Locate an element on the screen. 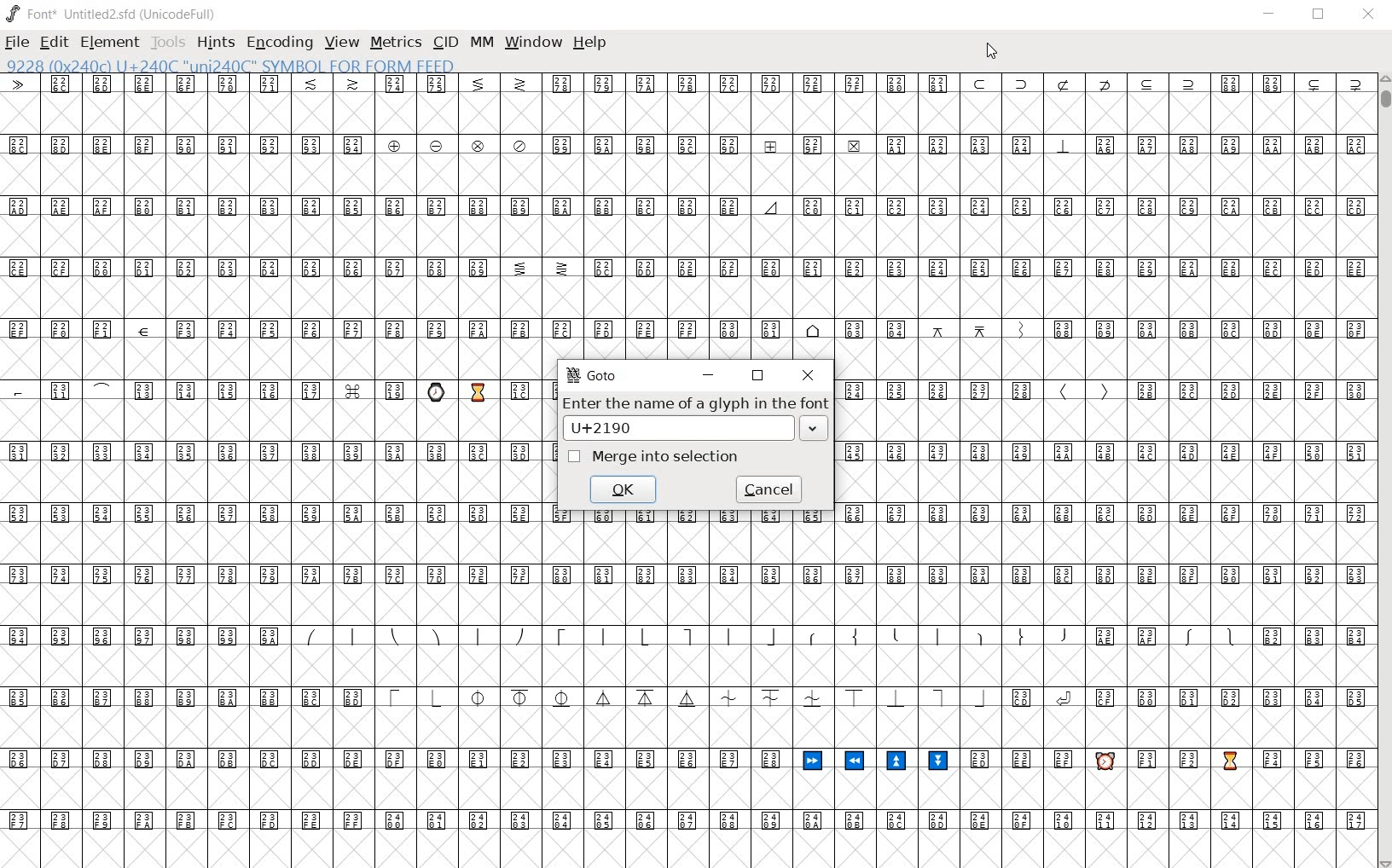 Image resolution: width=1392 pixels, height=868 pixels. Merge into selection is located at coordinates (652, 457).